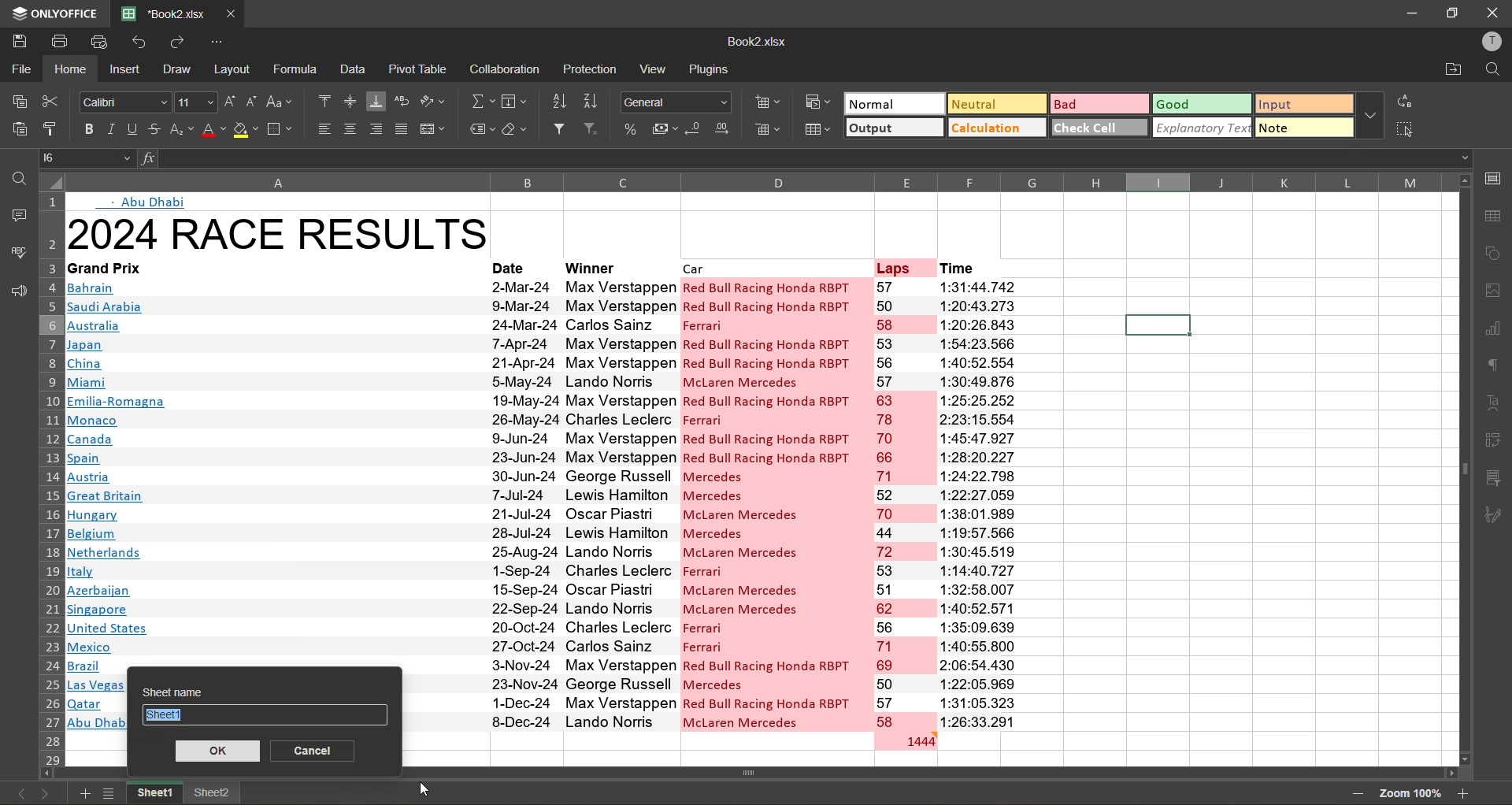  Describe the element at coordinates (1490, 71) in the screenshot. I see `find` at that location.